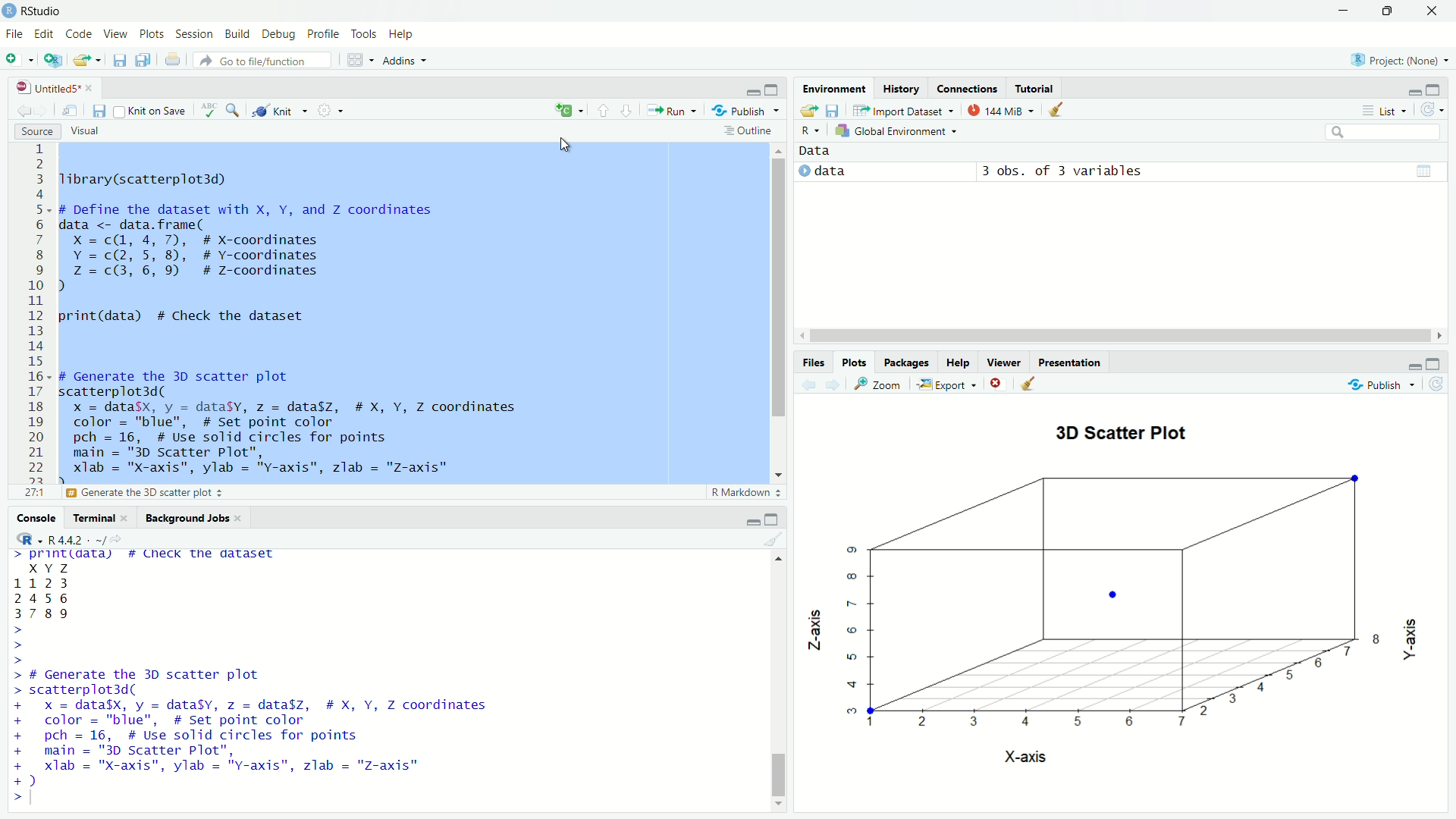 The width and height of the screenshot is (1456, 819). I want to click on 144 MiB, so click(1000, 111).